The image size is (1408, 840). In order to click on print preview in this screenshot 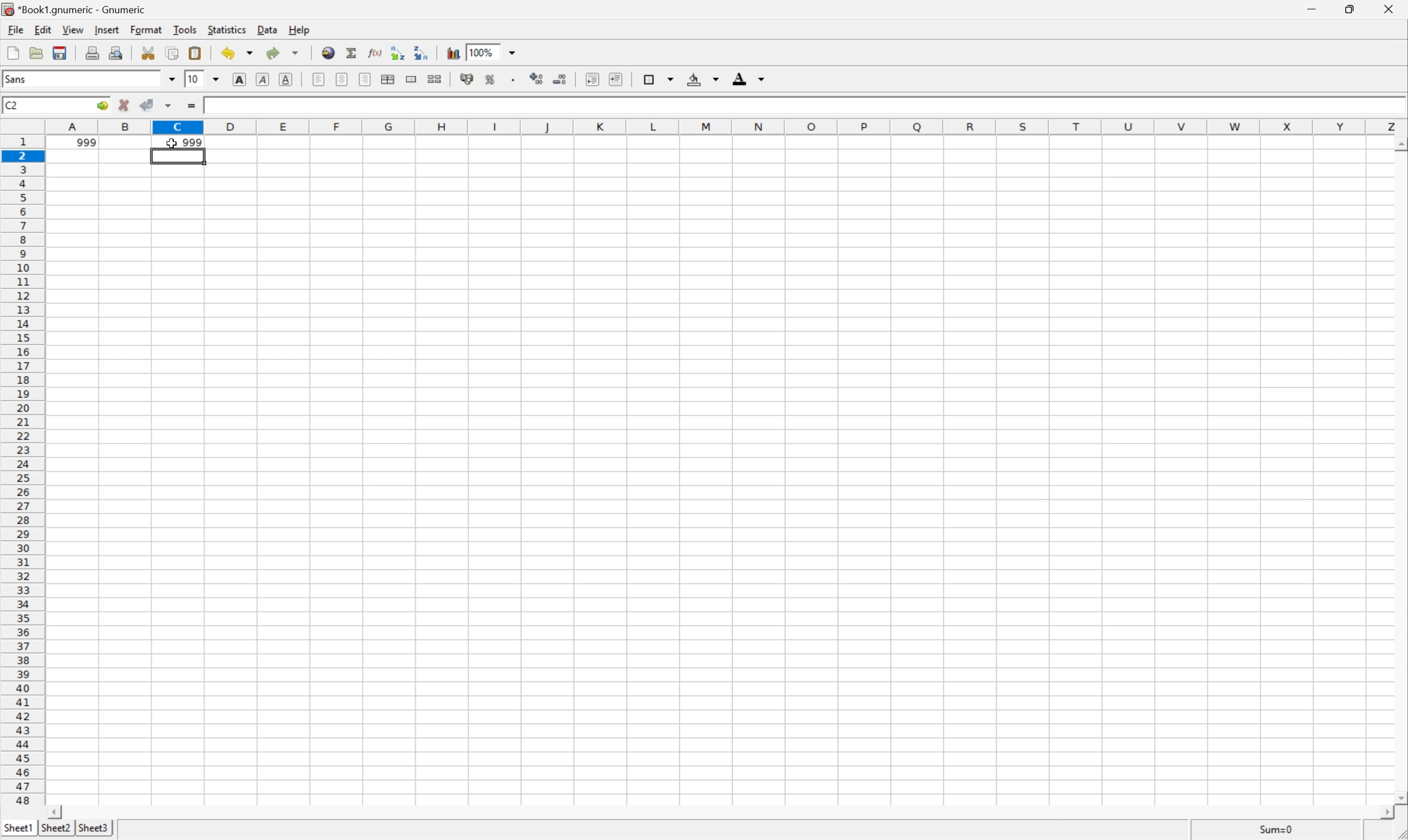, I will do `click(118, 53)`.